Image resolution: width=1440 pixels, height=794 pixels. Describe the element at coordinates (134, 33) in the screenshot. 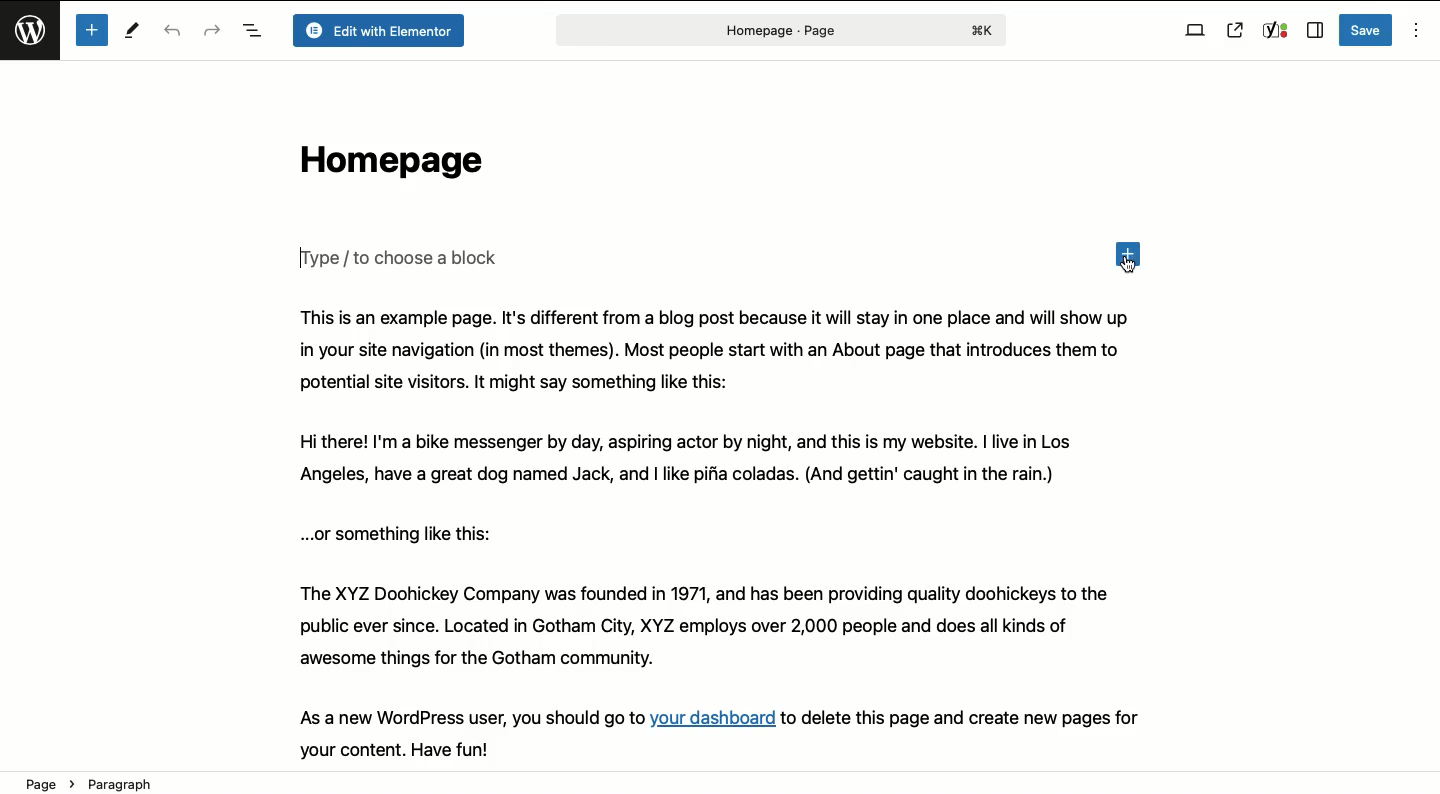

I see `Tools` at that location.